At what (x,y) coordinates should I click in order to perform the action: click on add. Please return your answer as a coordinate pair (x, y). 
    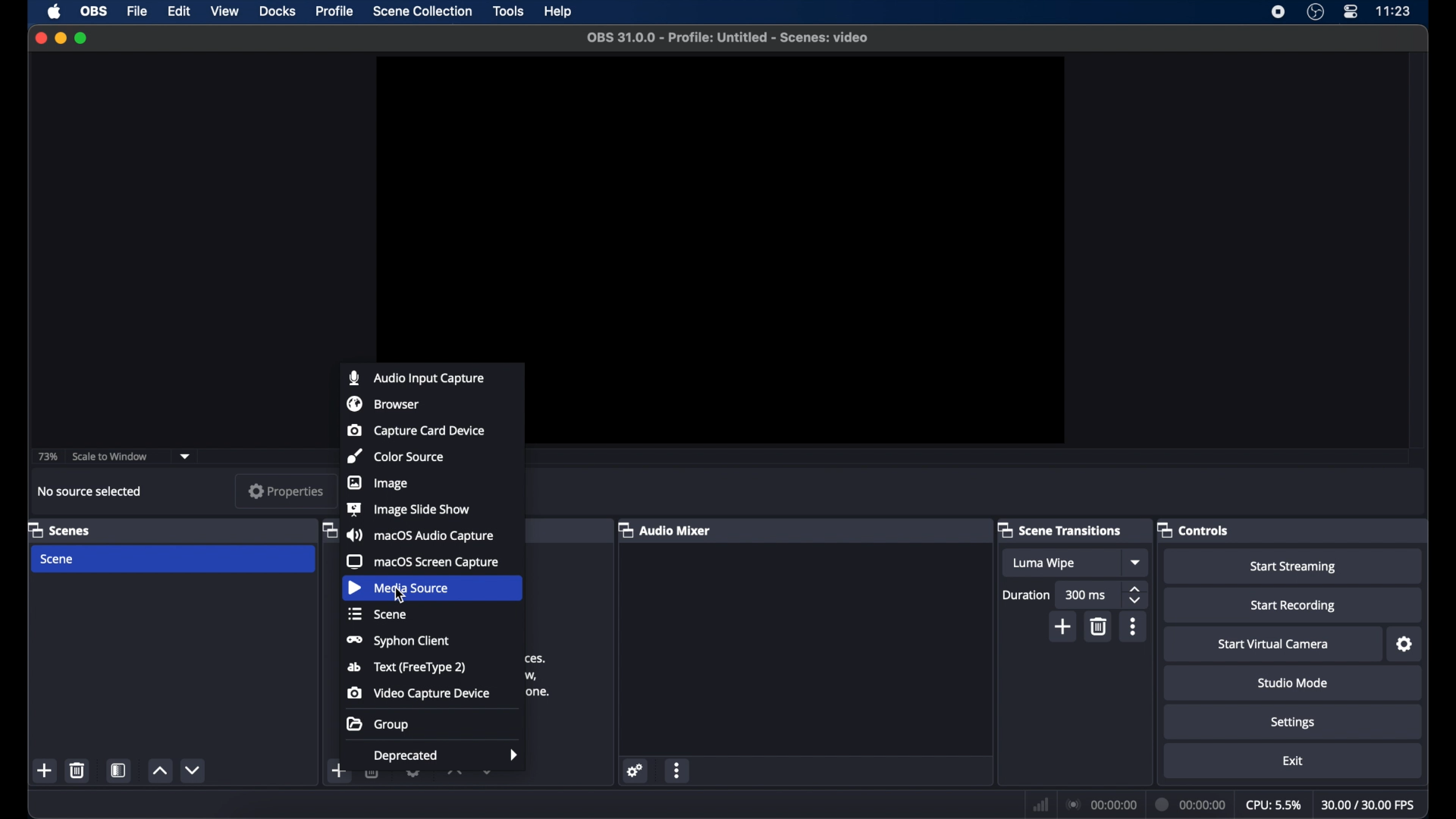
    Looking at the image, I should click on (44, 770).